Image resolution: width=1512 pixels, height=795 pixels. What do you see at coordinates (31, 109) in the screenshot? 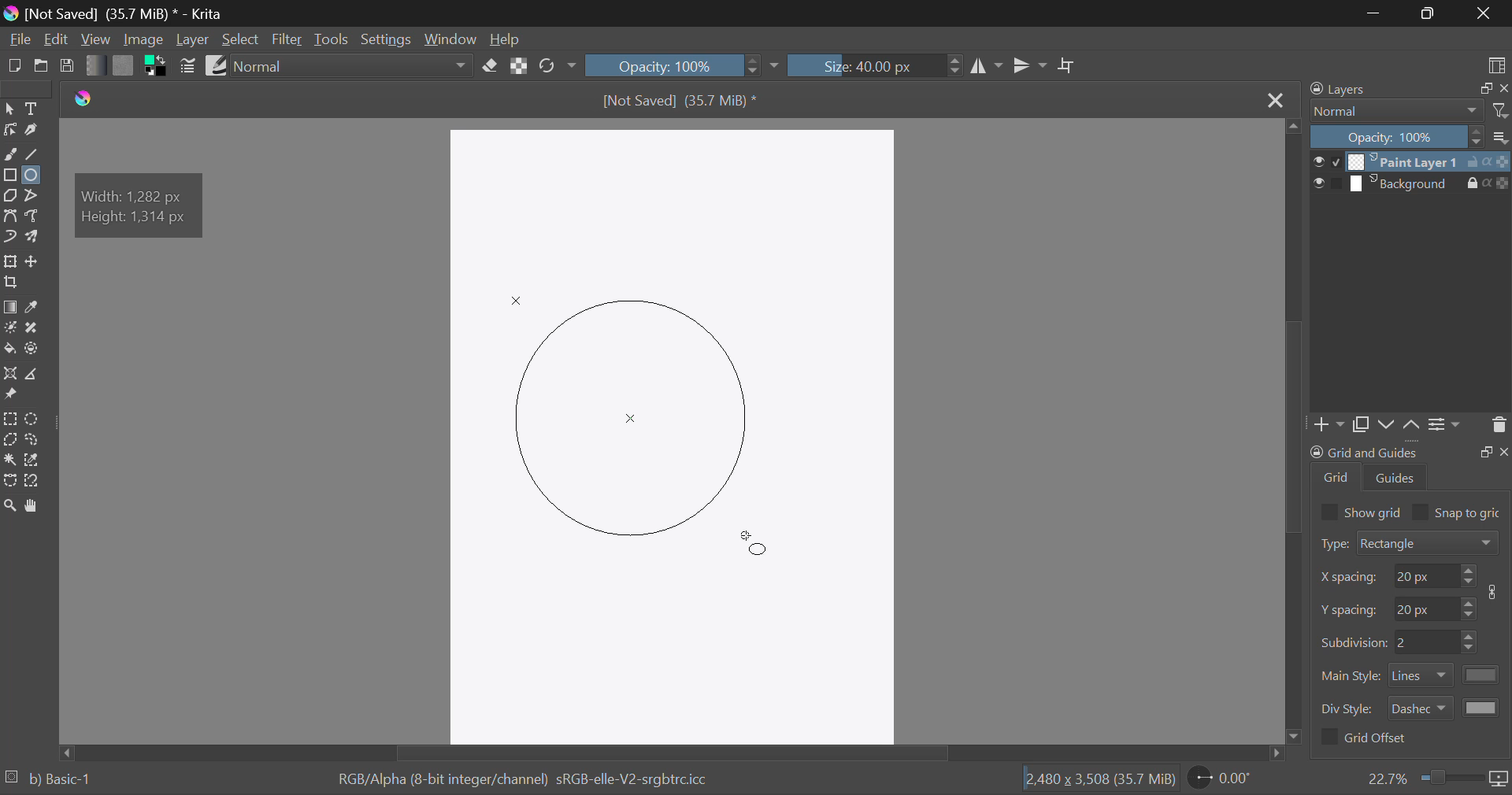
I see `Text` at bounding box center [31, 109].